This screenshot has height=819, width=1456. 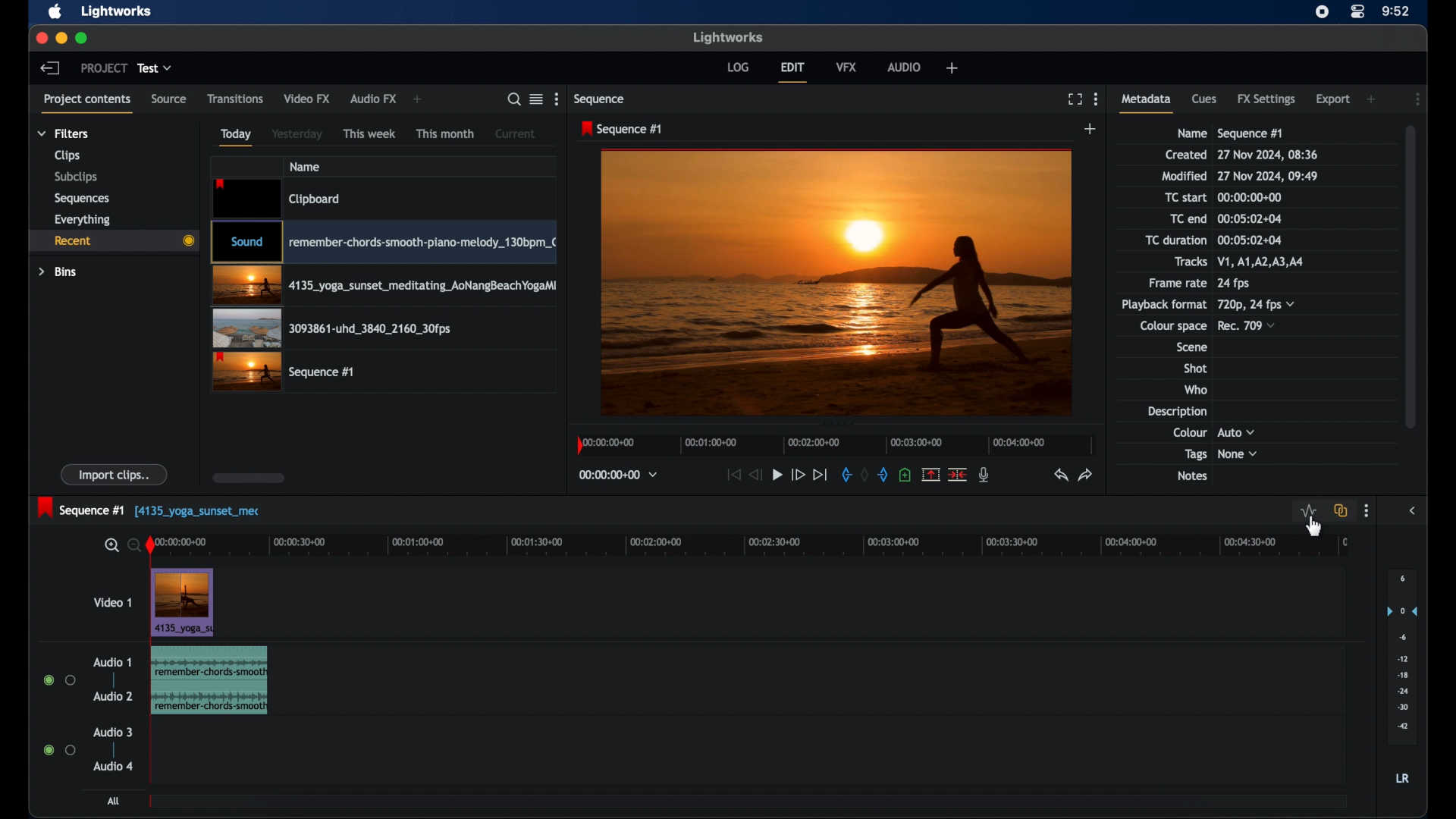 I want to click on who, so click(x=1196, y=389).